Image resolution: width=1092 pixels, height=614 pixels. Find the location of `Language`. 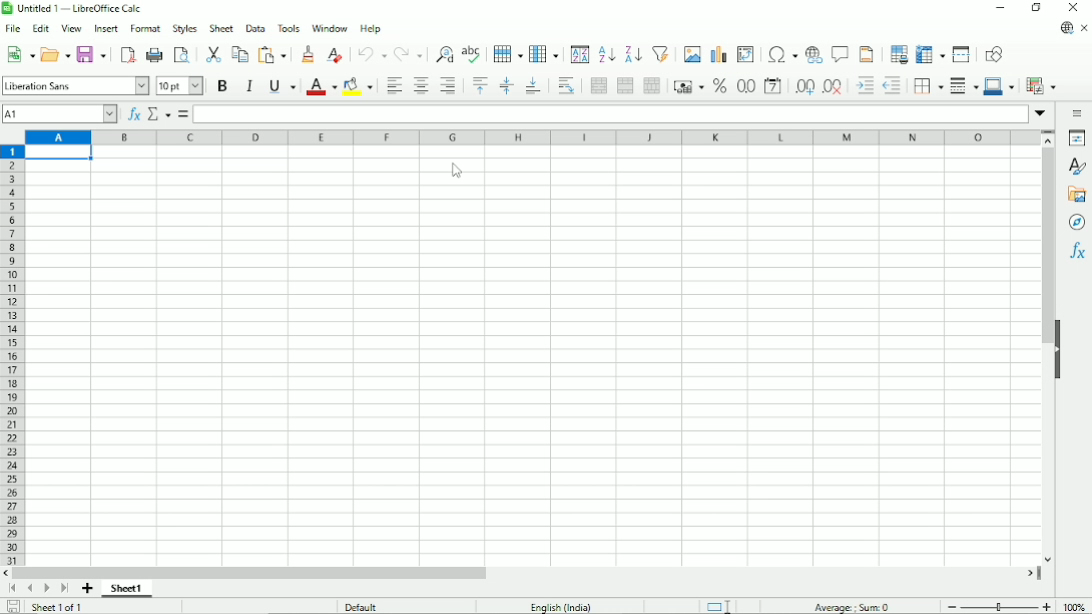

Language is located at coordinates (562, 605).